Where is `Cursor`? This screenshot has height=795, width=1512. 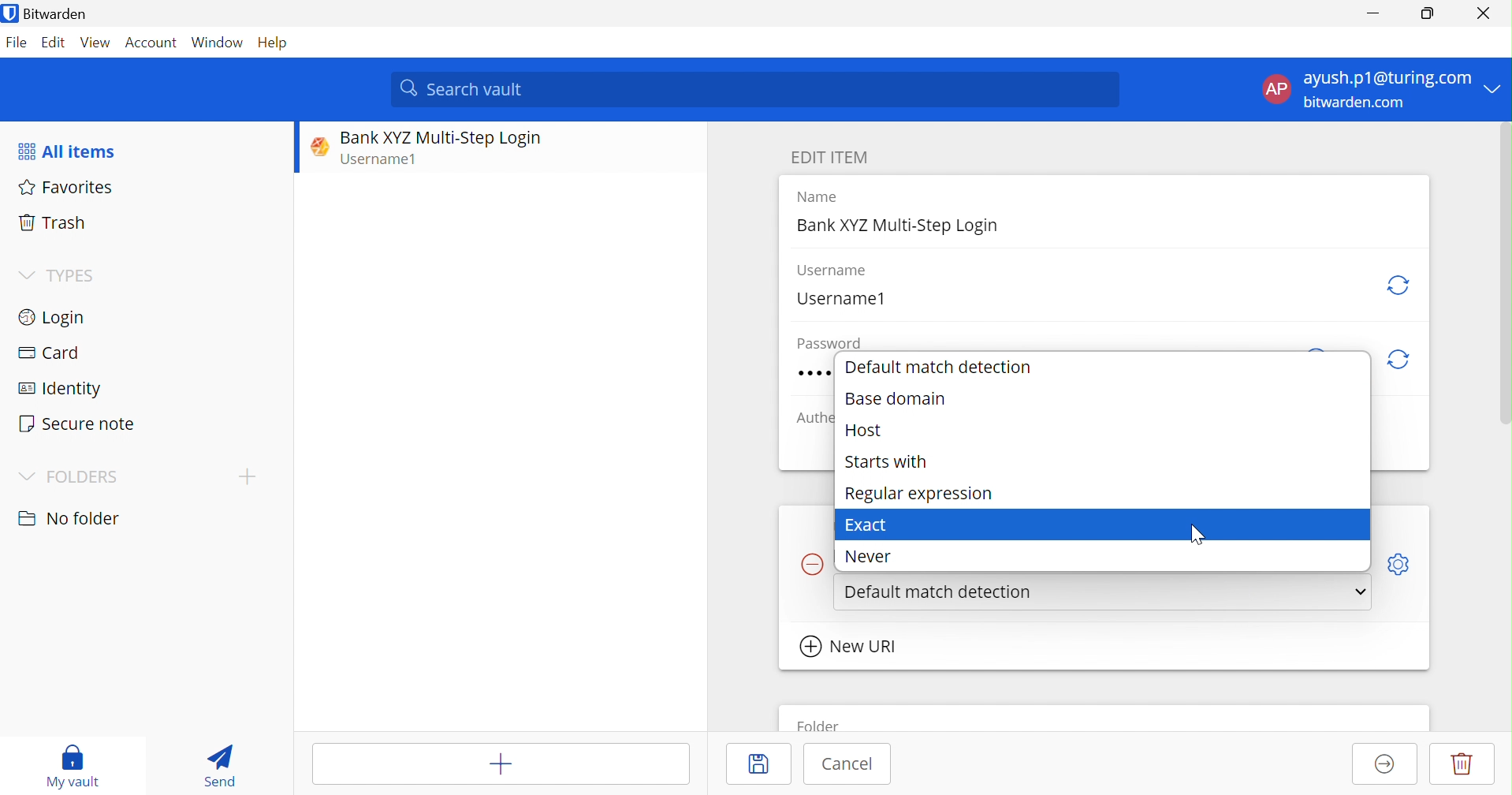 Cursor is located at coordinates (1200, 538).